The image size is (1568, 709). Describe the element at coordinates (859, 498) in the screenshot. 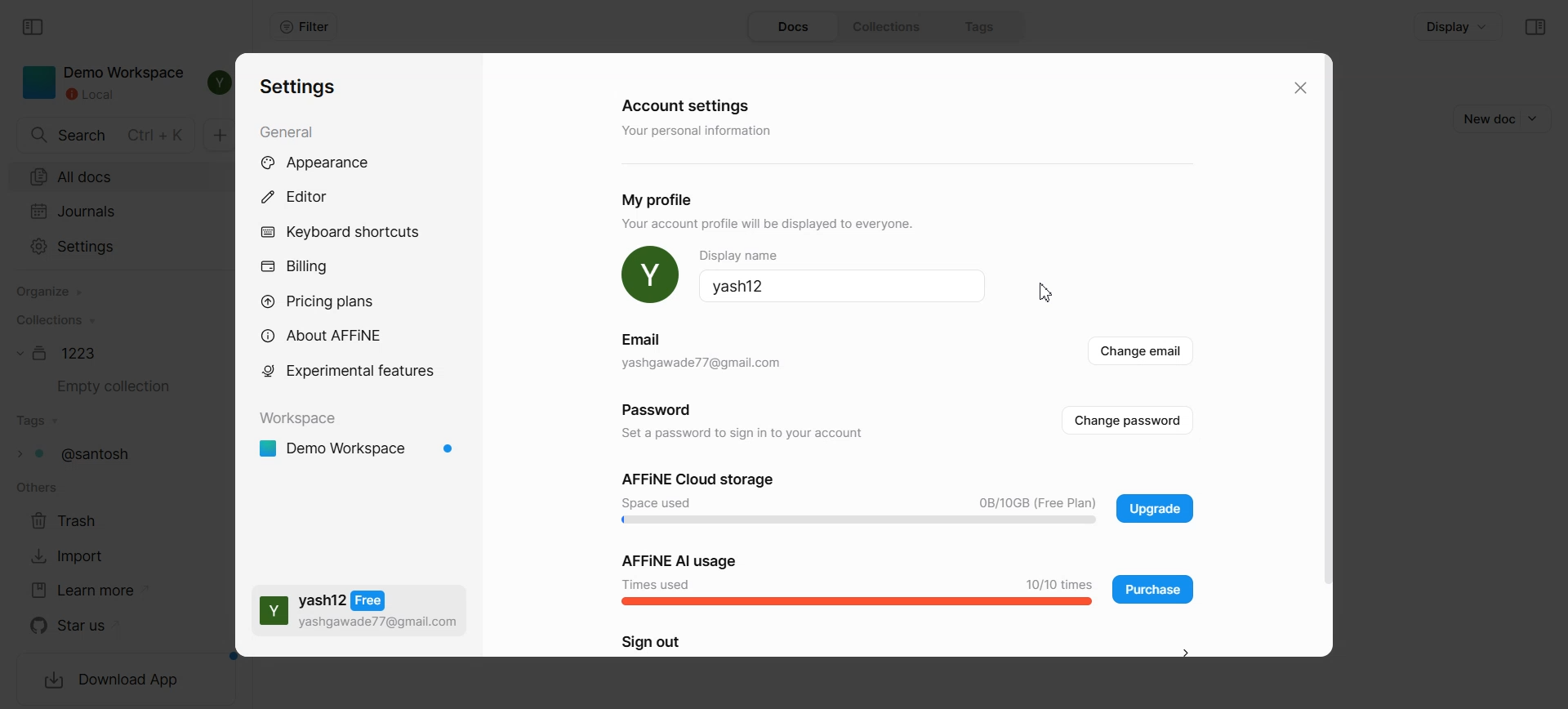

I see `Affine Cloud storage Space used ` at that location.